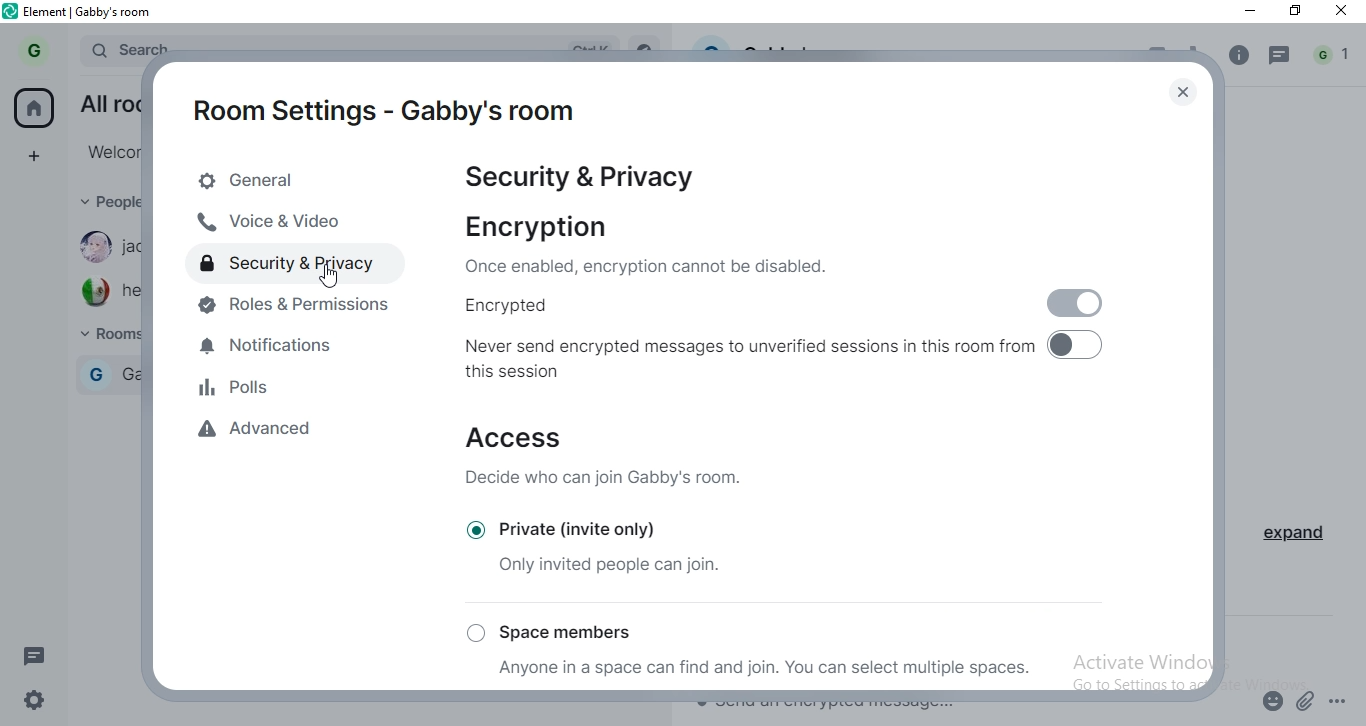 The width and height of the screenshot is (1366, 726). I want to click on G, so click(95, 374).